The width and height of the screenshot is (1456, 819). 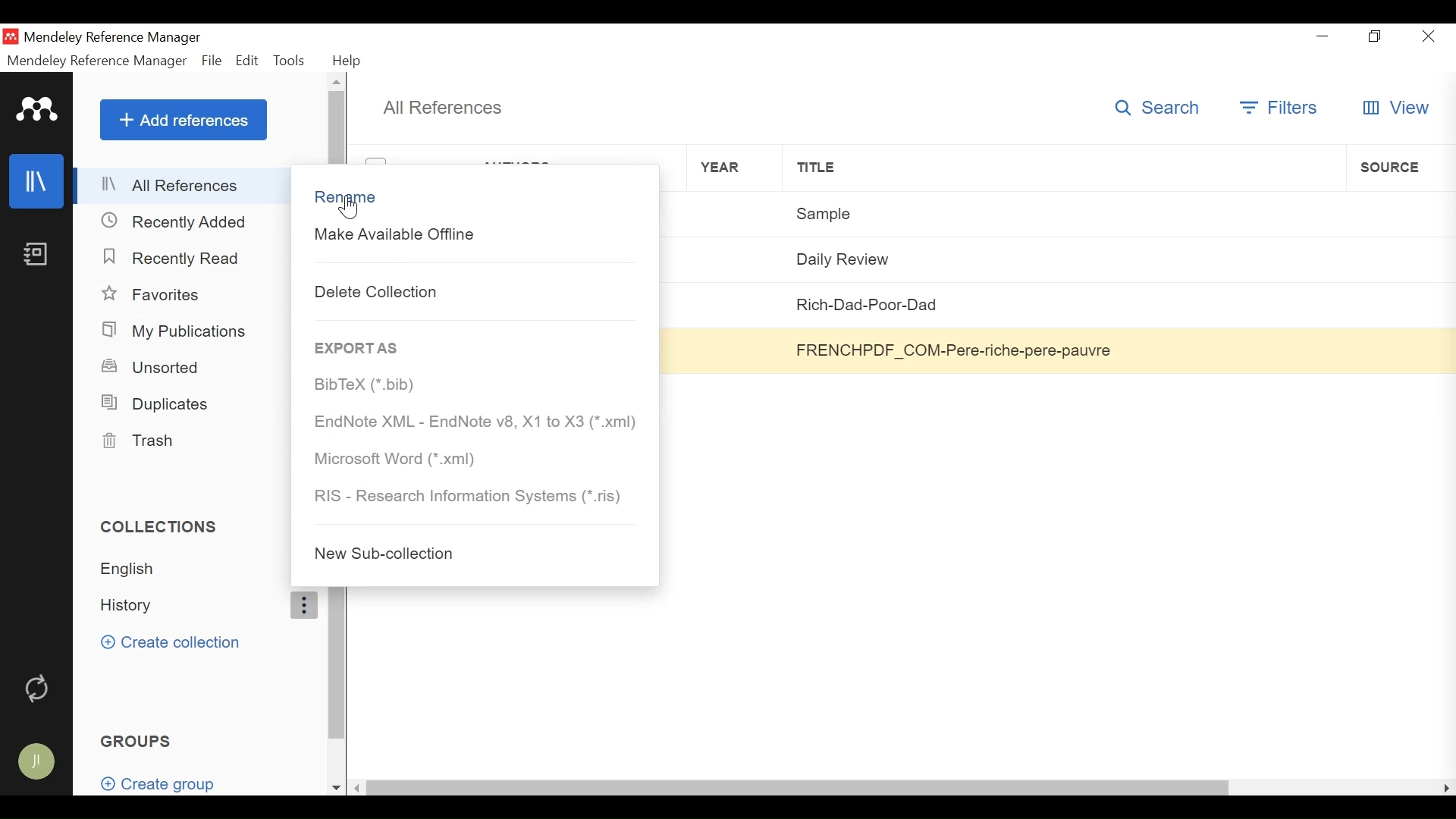 I want to click on Recently Added, so click(x=174, y=221).